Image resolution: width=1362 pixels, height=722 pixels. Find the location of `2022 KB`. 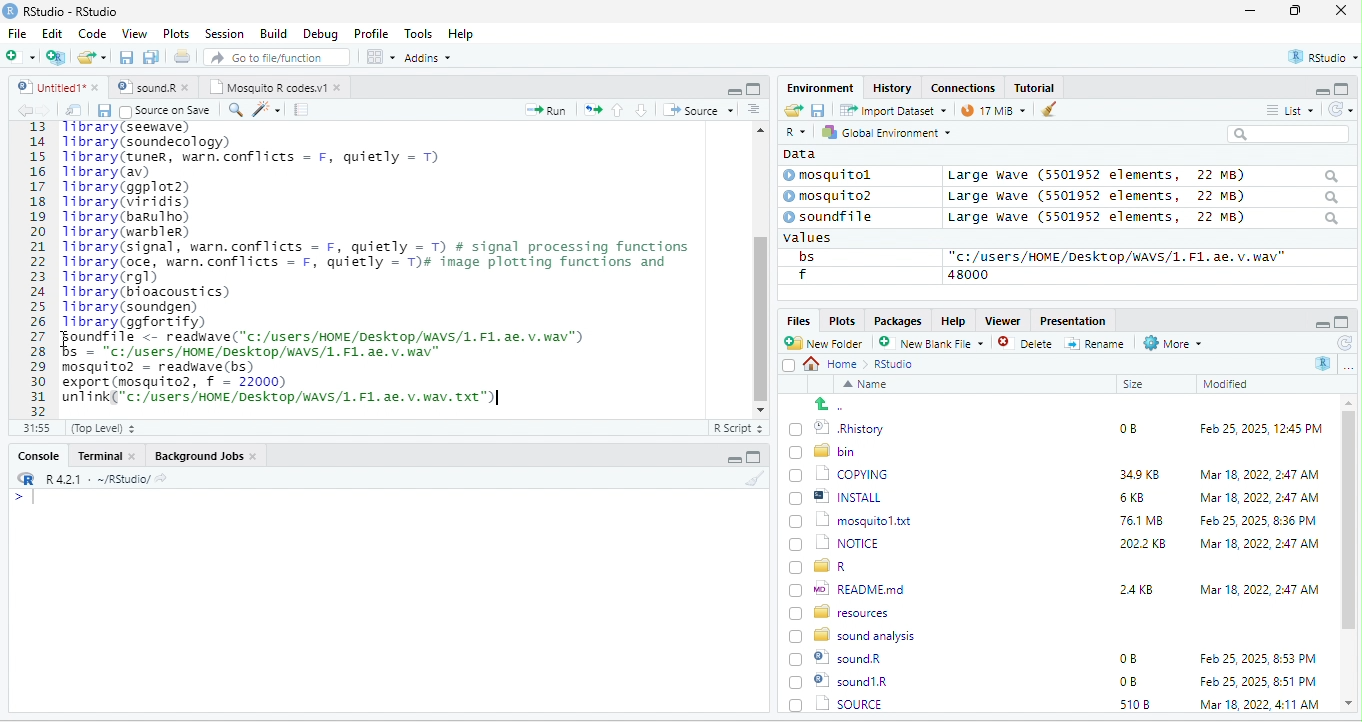

2022 KB is located at coordinates (1144, 545).